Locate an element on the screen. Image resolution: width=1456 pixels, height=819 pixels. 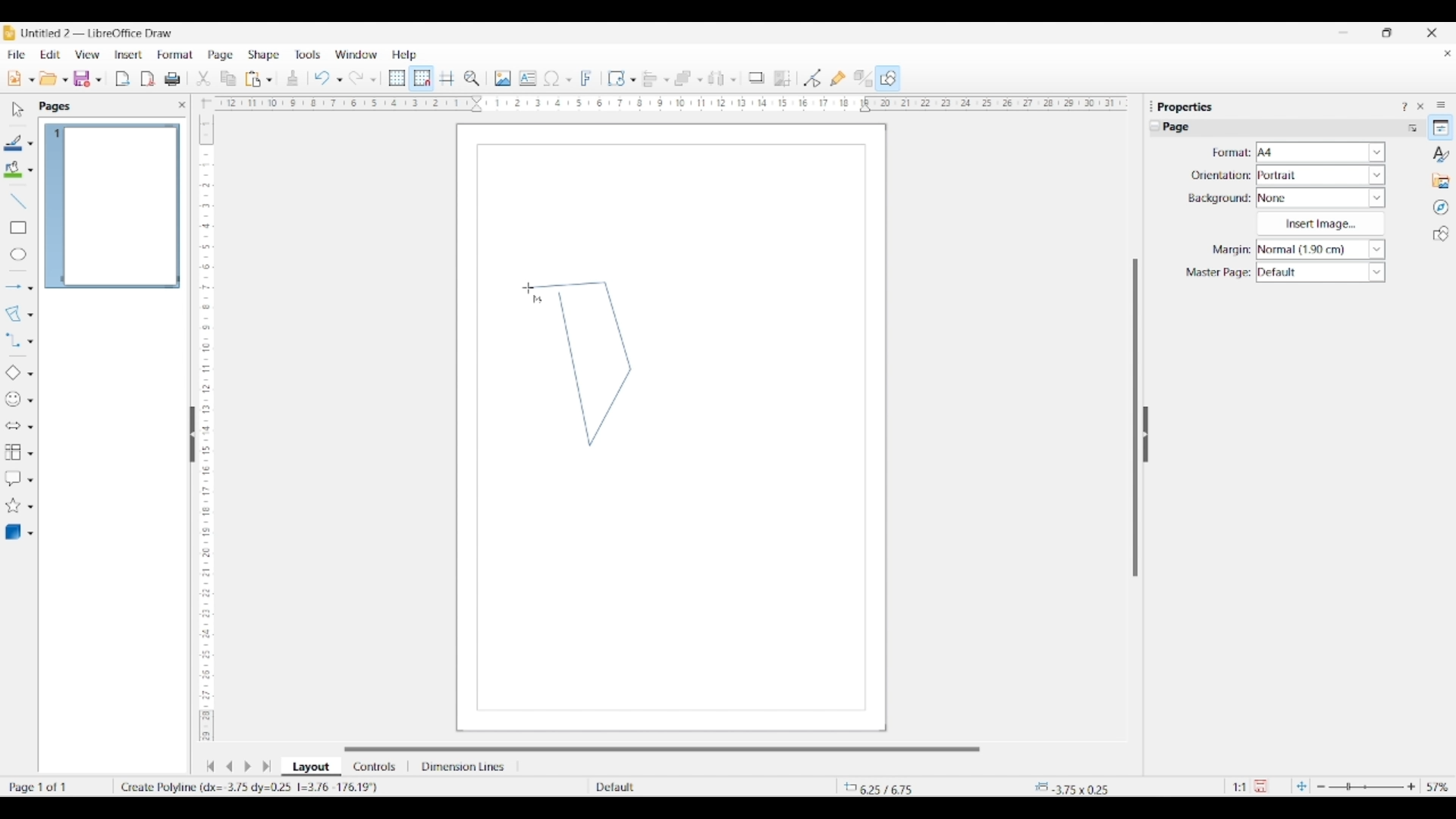
Help about this sidebar is located at coordinates (1404, 106).